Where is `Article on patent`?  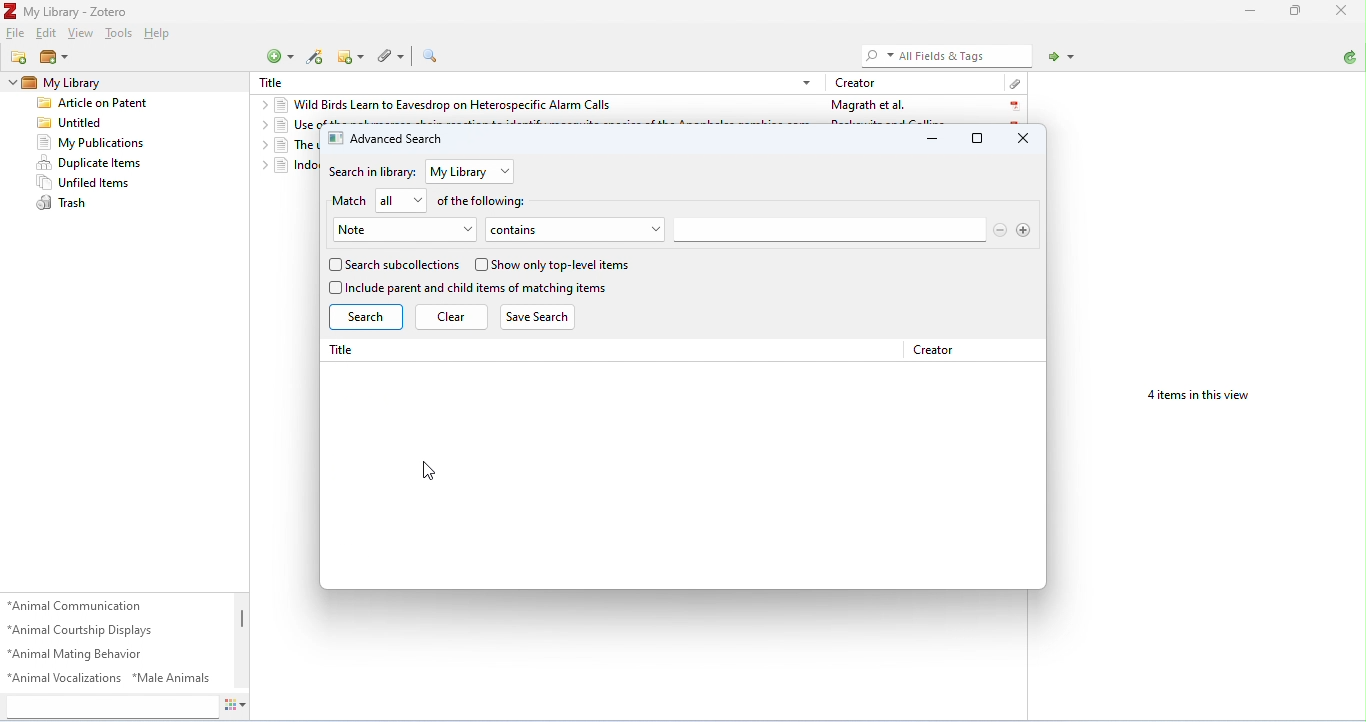 Article on patent is located at coordinates (96, 104).